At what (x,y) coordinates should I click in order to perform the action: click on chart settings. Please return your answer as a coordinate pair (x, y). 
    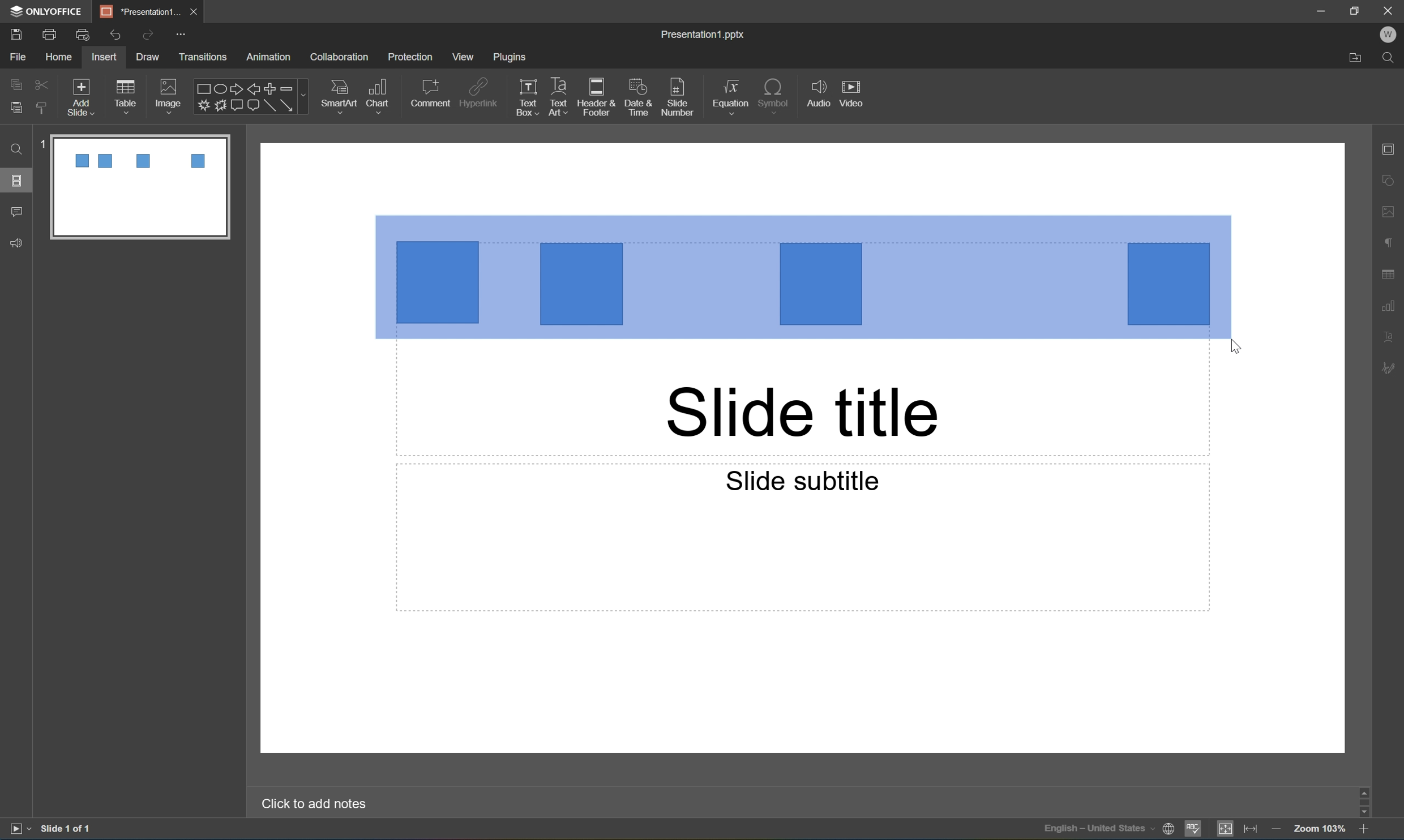
    Looking at the image, I should click on (1393, 304).